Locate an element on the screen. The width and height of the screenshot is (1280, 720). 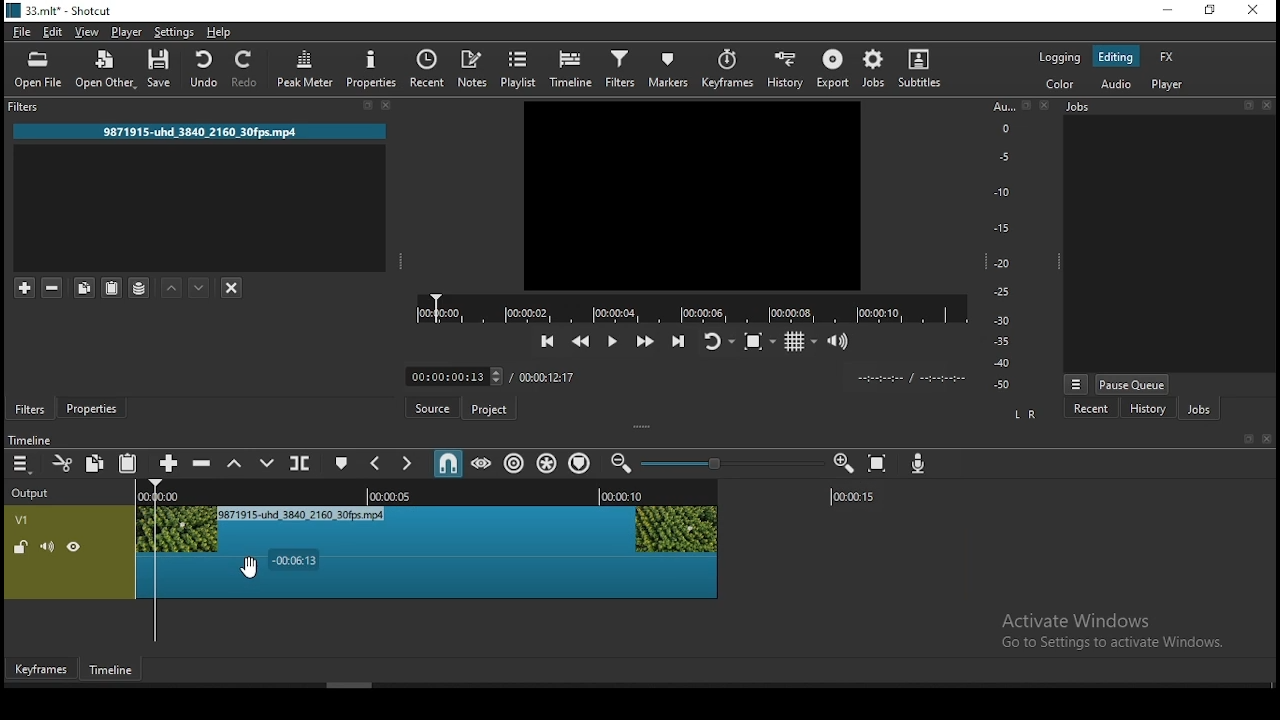
scroll bar is located at coordinates (349, 685).